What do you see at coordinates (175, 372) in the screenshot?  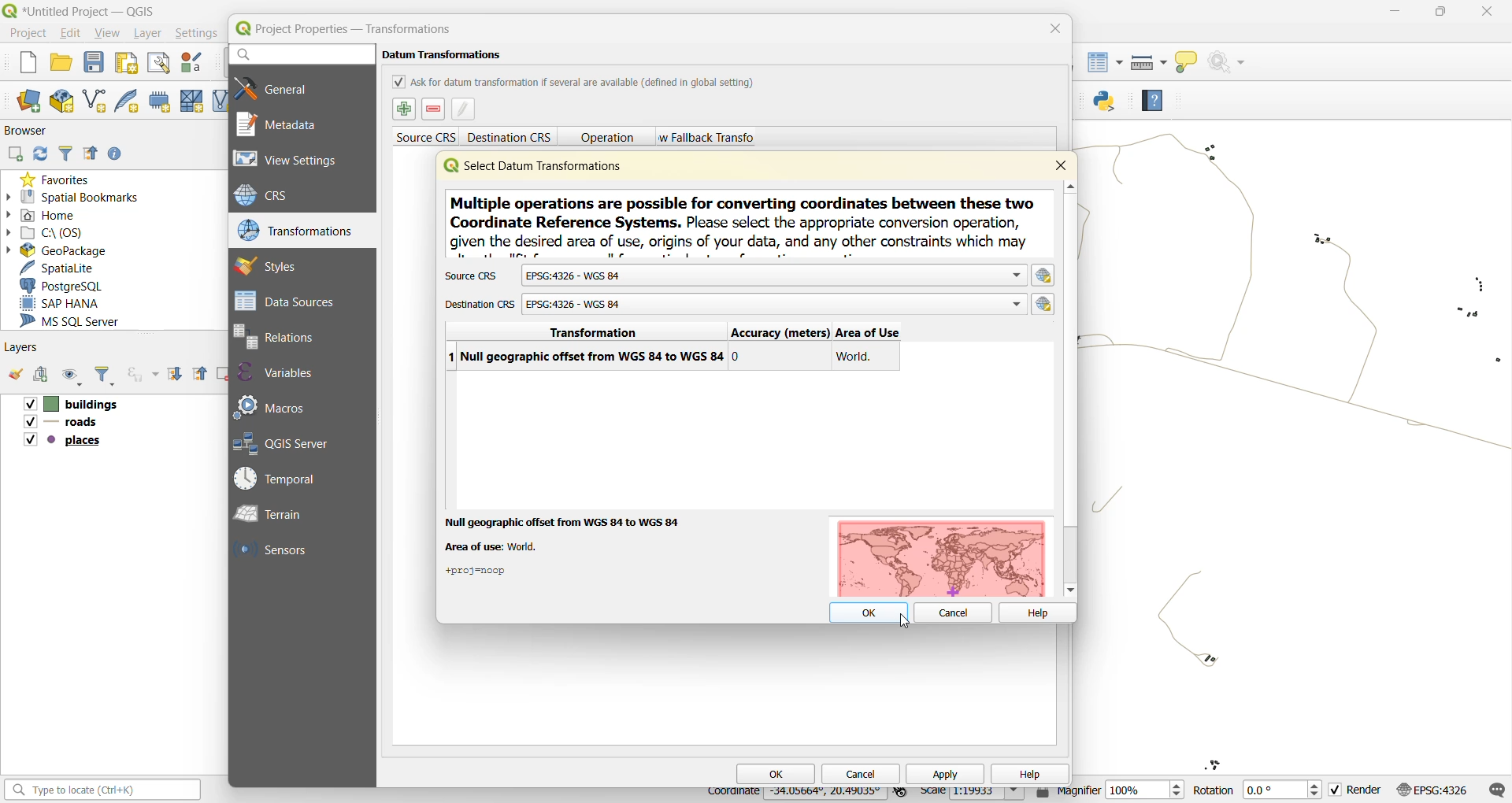 I see `expand all` at bounding box center [175, 372].